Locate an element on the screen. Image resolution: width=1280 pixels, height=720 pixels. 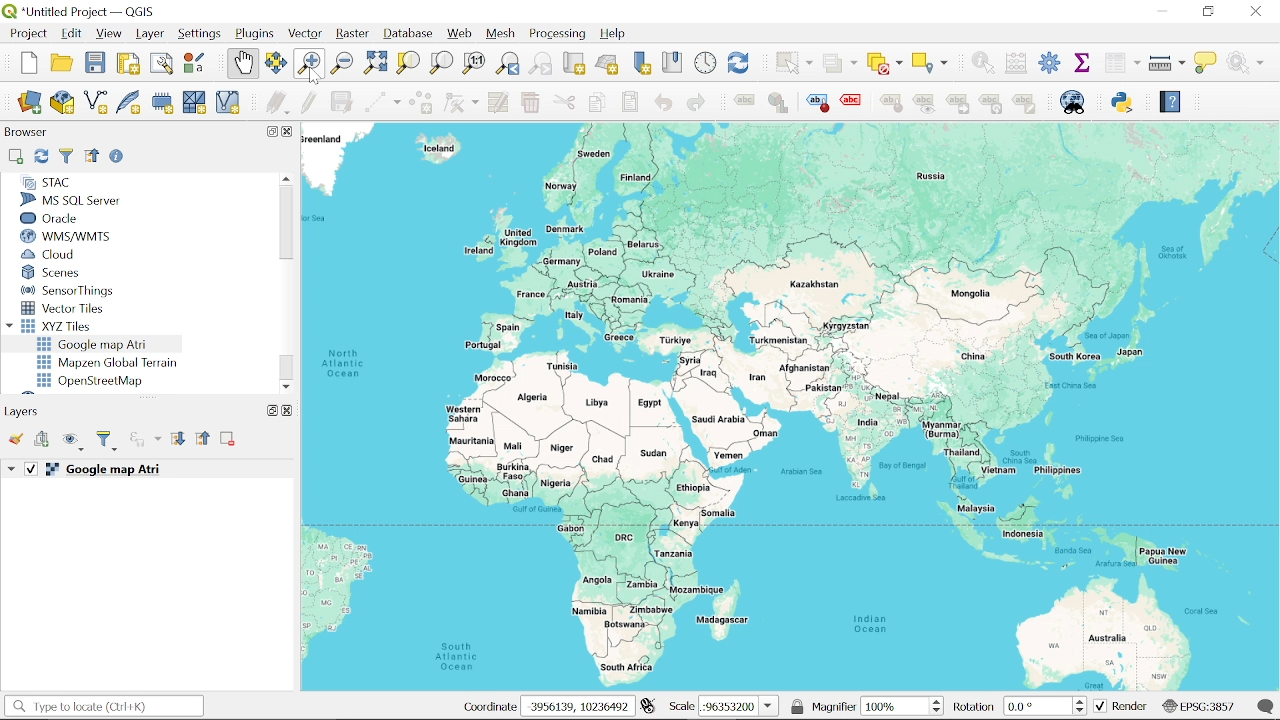
XYZ tiles is located at coordinates (62, 326).